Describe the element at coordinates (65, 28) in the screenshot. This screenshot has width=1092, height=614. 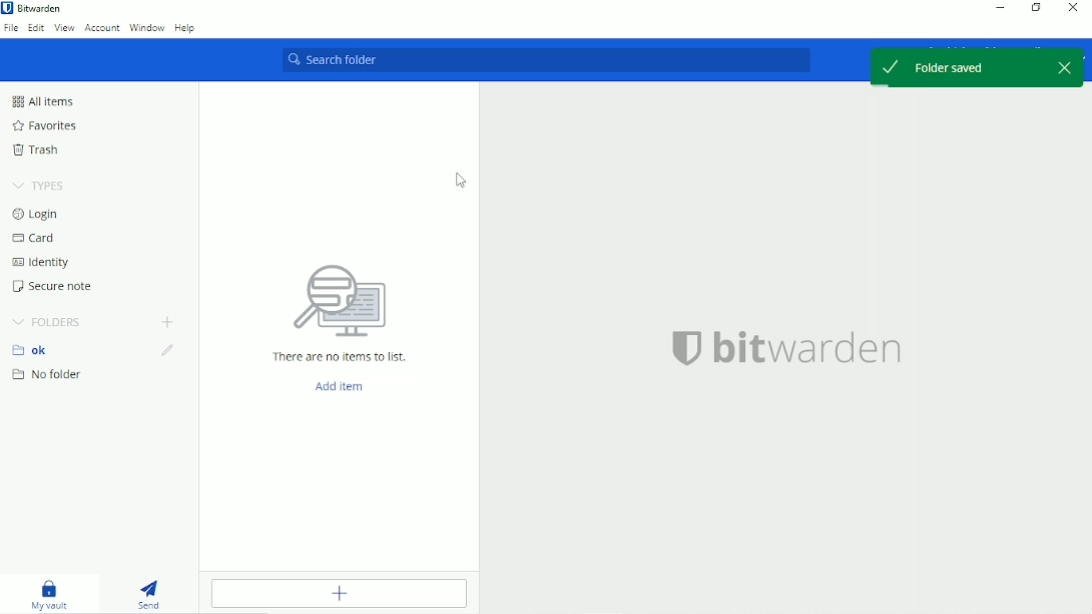
I see `View` at that location.